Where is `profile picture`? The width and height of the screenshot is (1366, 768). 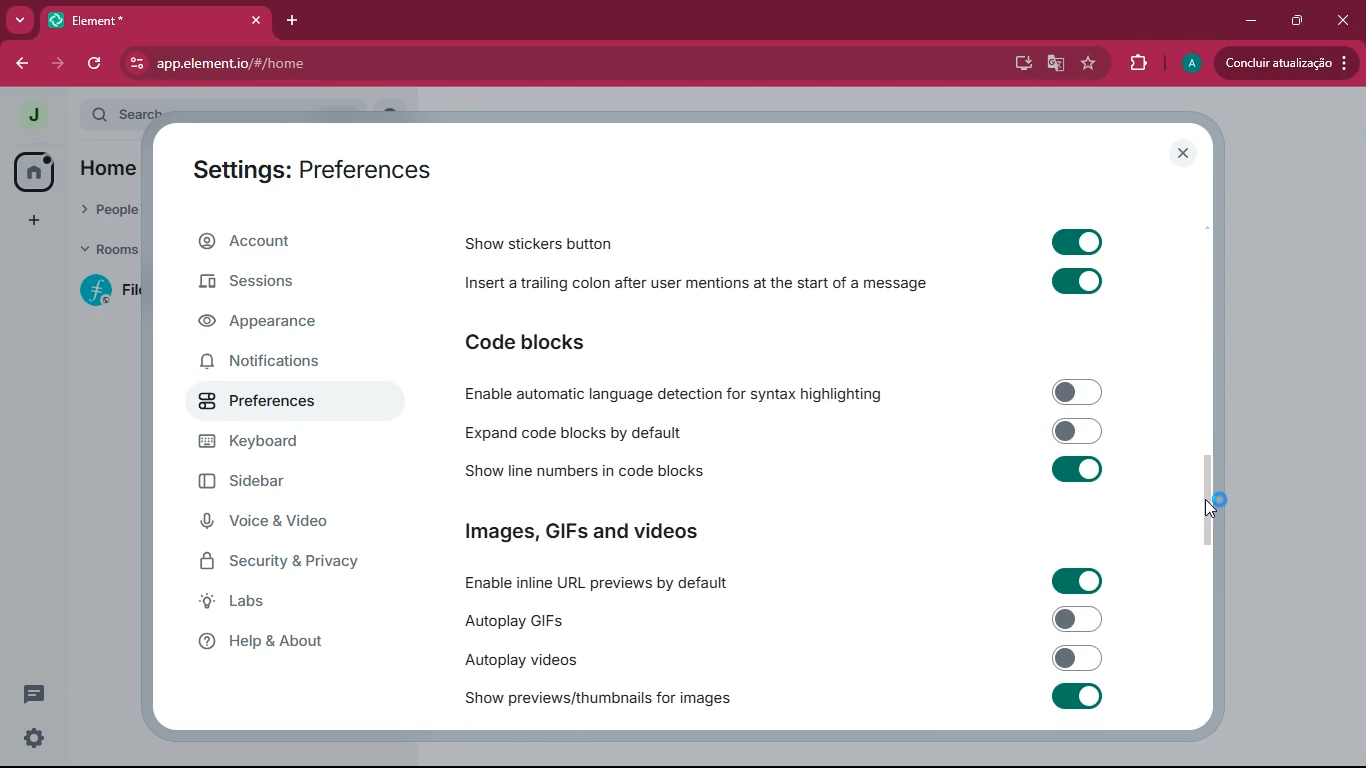
profile picture is located at coordinates (1188, 63).